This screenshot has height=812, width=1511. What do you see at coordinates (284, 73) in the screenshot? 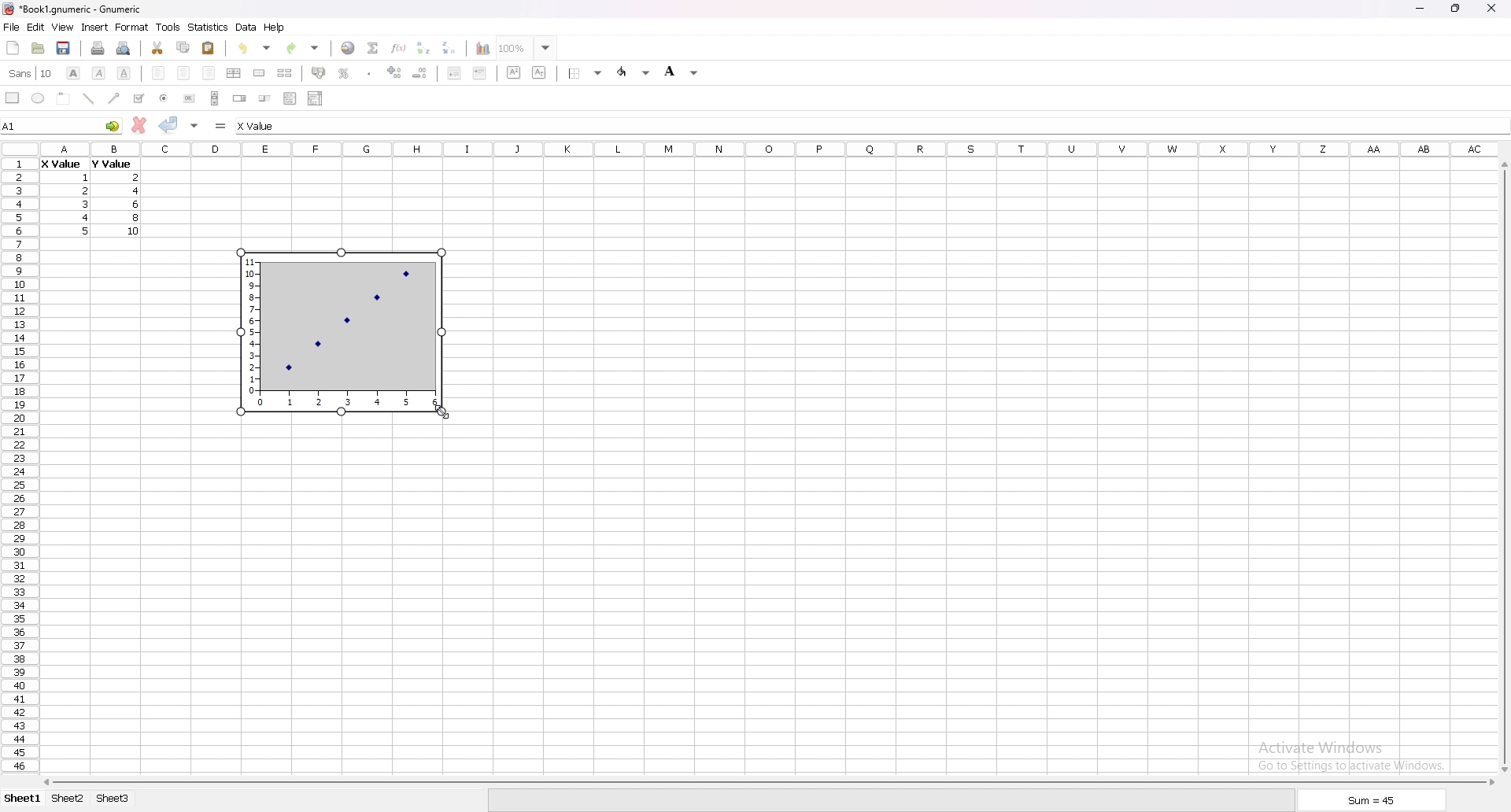
I see `split merged cells` at bounding box center [284, 73].